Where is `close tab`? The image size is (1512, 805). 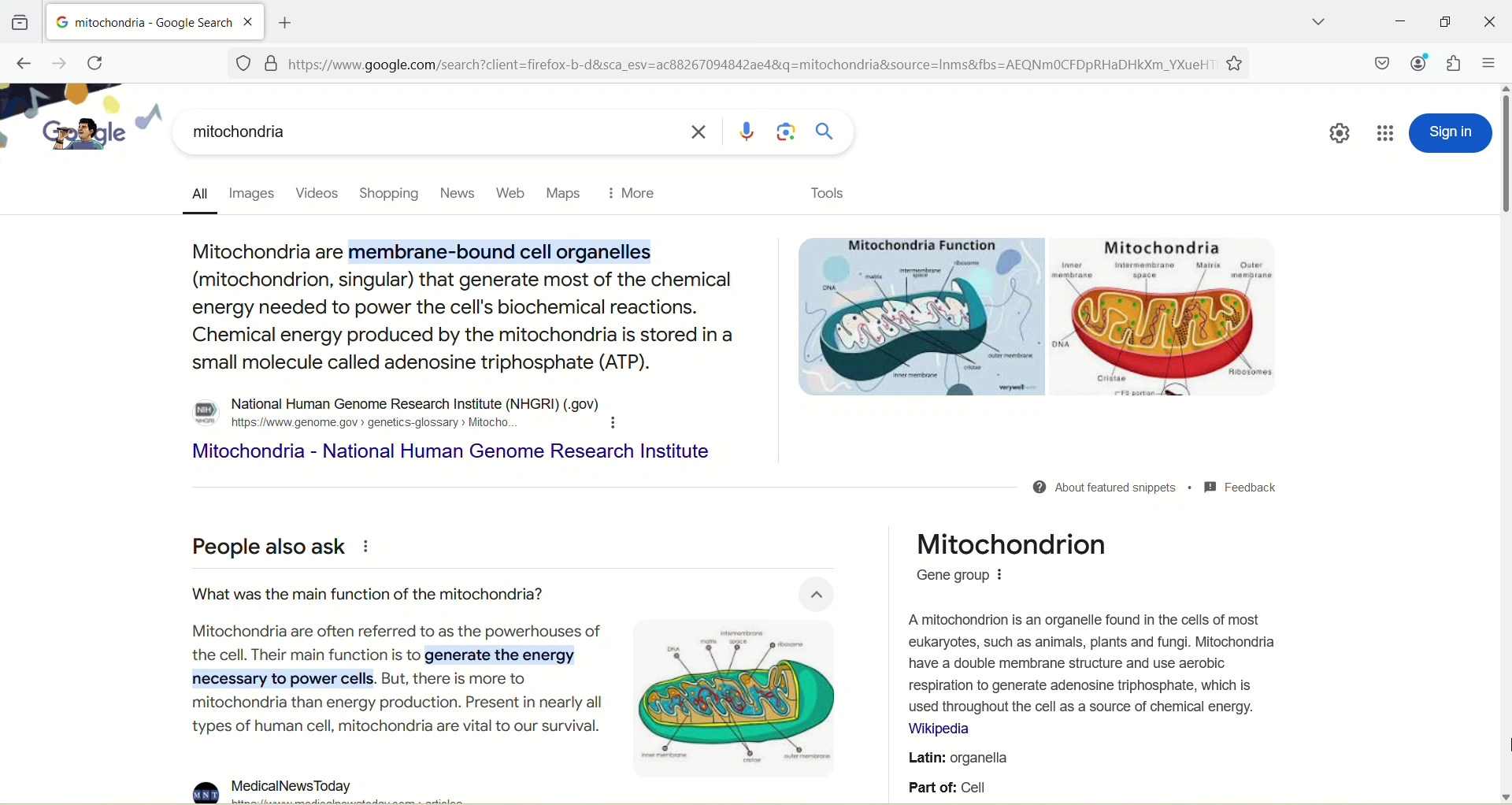
close tab is located at coordinates (250, 21).